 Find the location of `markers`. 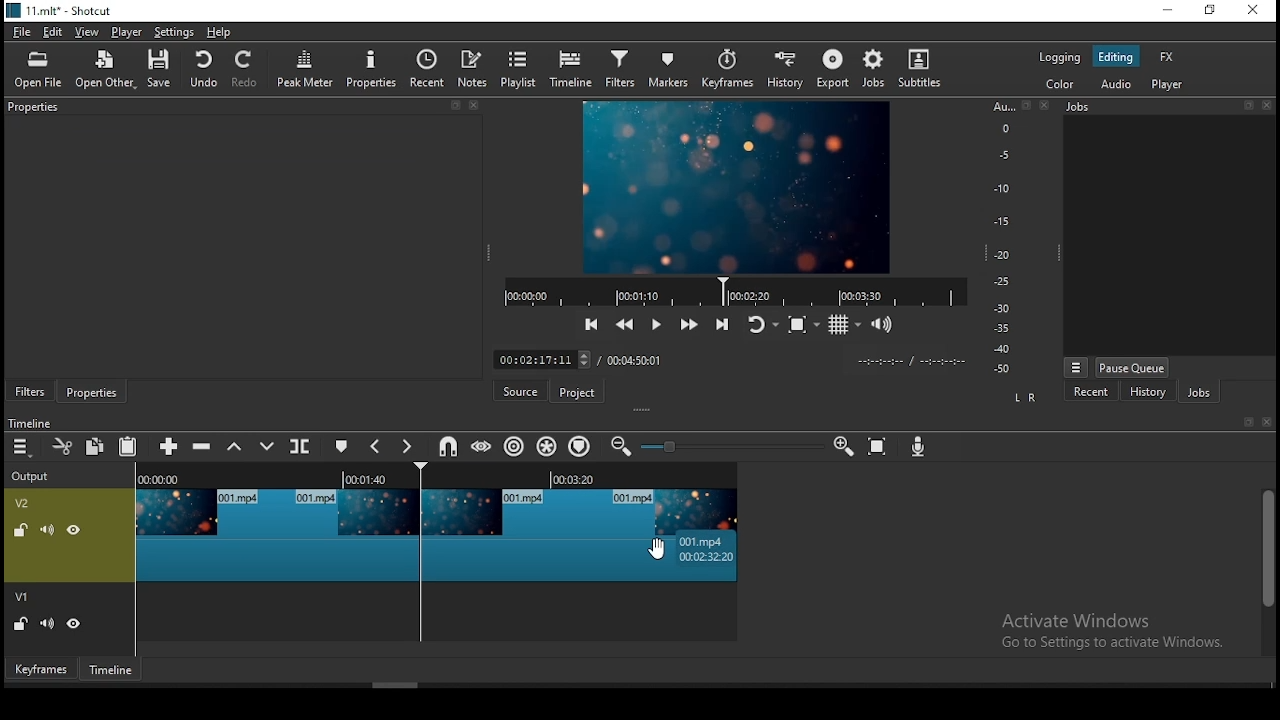

markers is located at coordinates (672, 70).